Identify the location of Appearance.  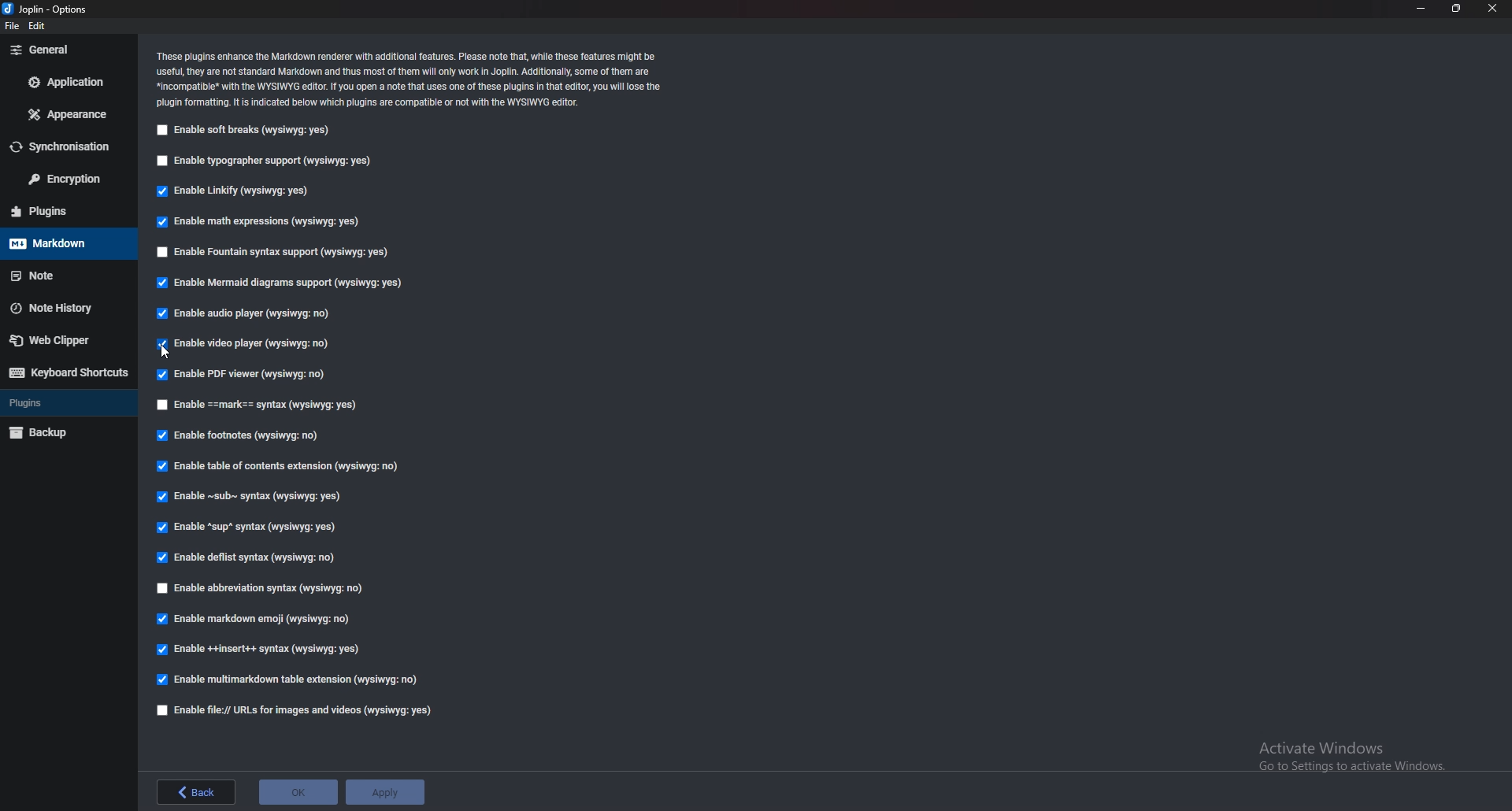
(70, 113).